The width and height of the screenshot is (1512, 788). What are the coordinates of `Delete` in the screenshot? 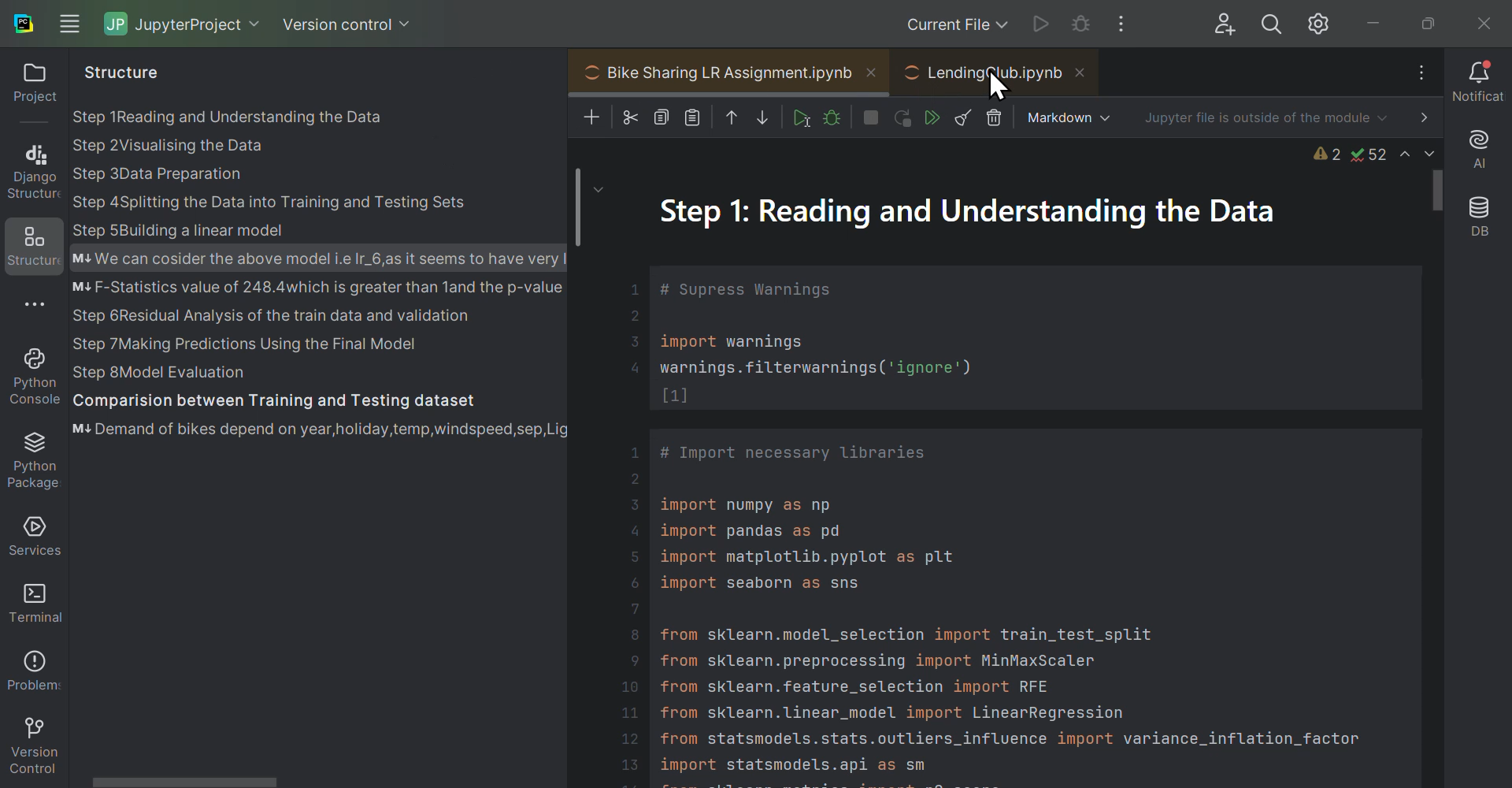 It's located at (999, 119).